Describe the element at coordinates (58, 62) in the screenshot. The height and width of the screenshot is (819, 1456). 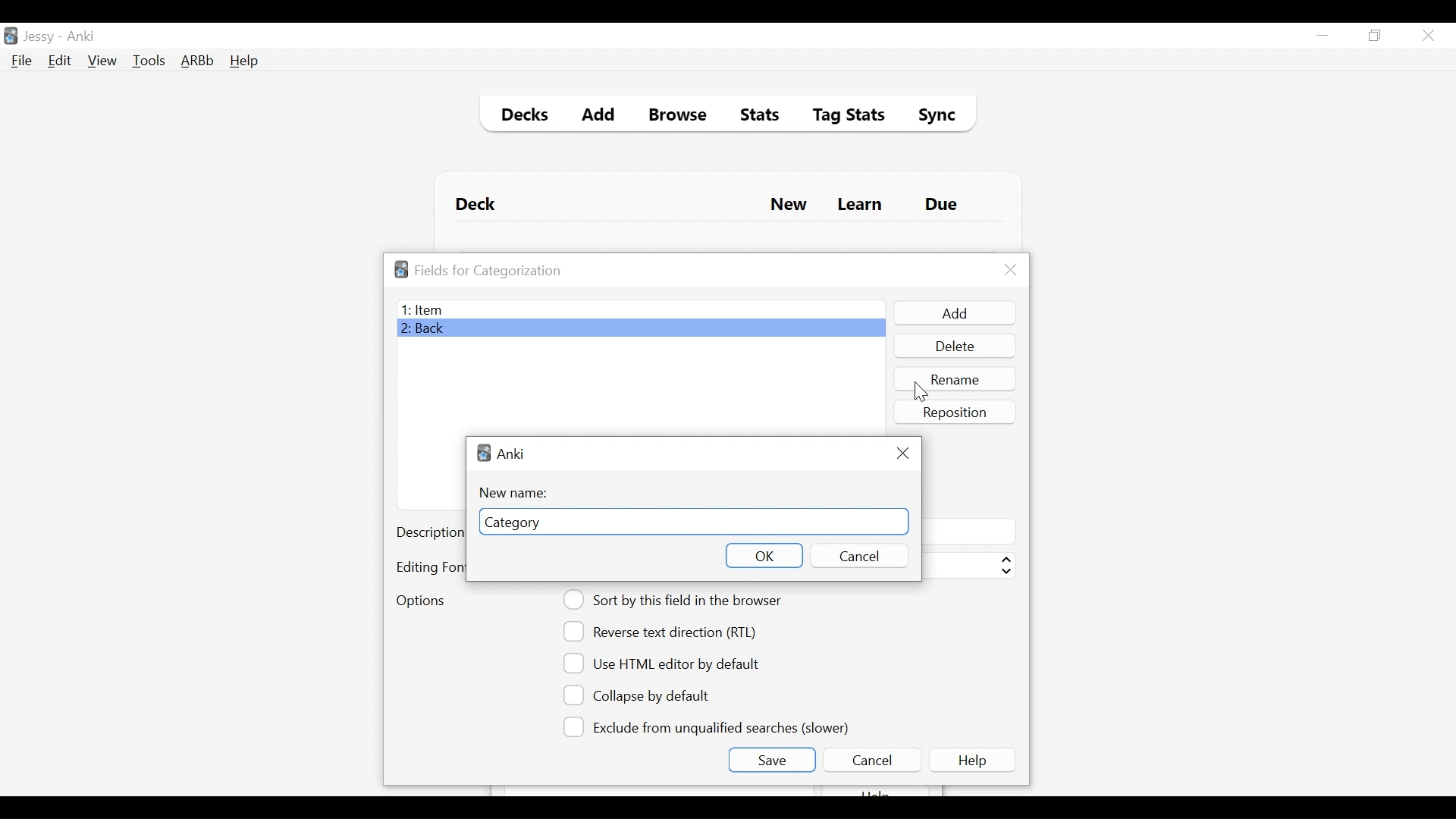
I see `Edit` at that location.